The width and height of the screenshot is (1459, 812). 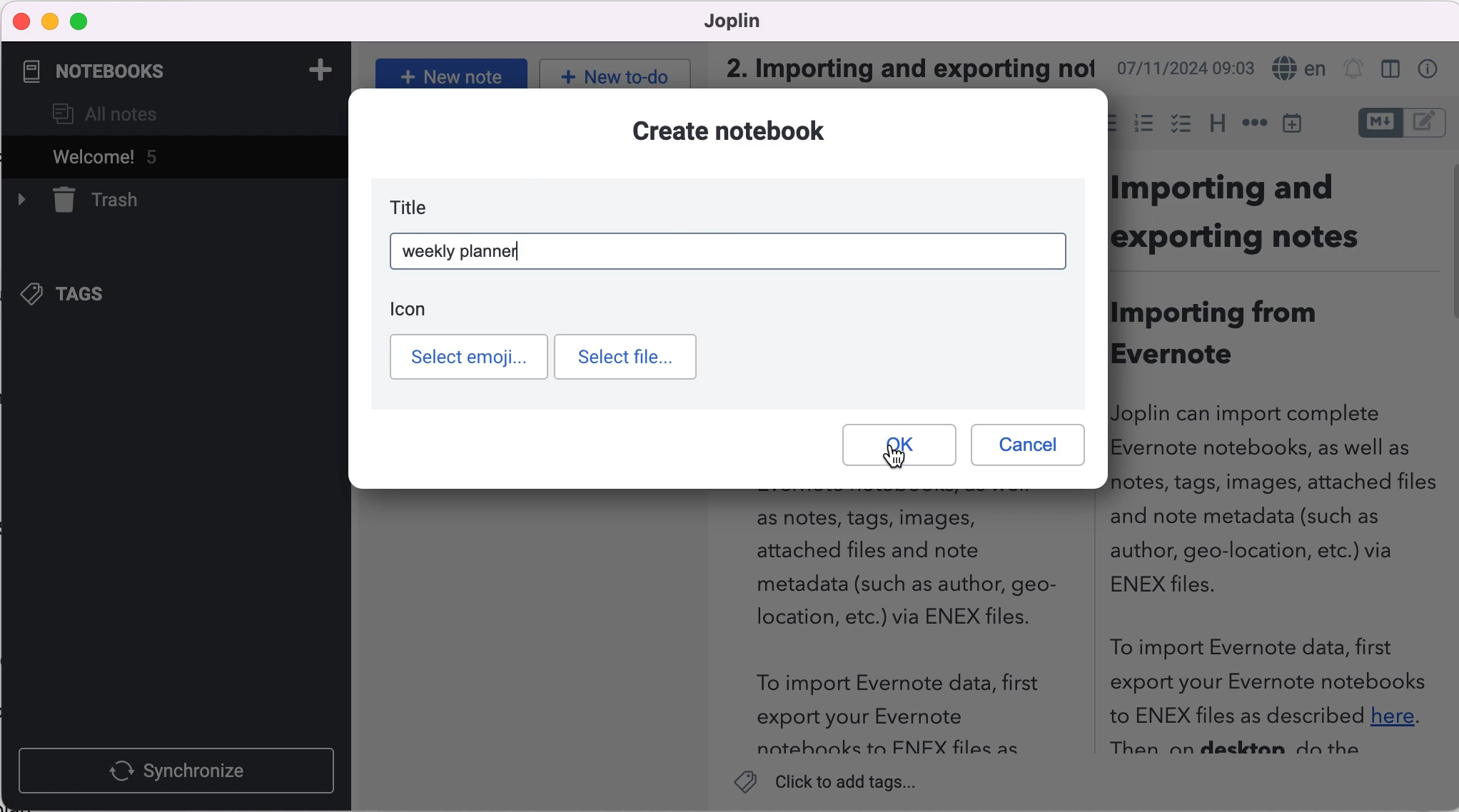 I want to click on cursor, so click(x=894, y=462).